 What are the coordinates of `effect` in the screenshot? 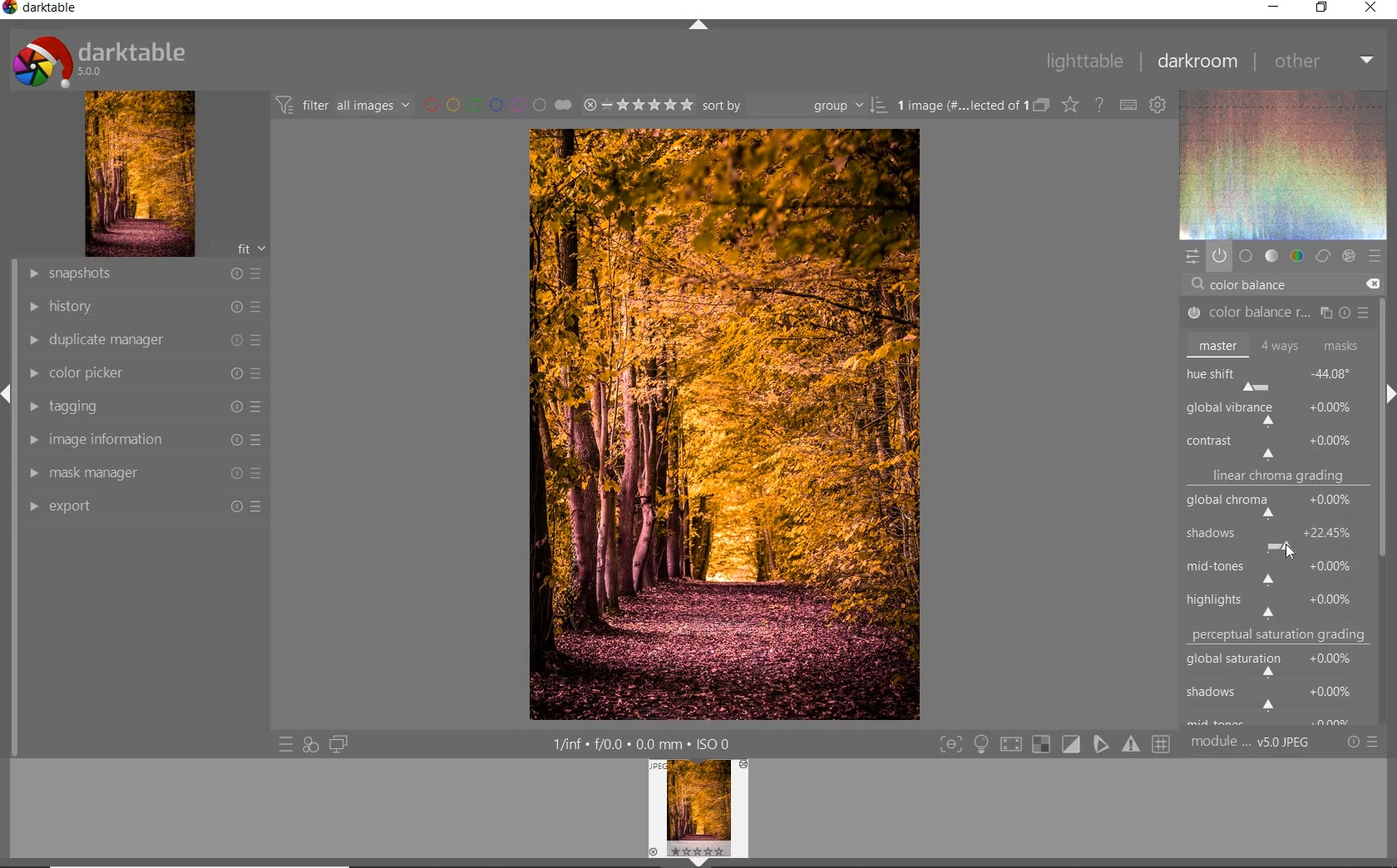 It's located at (1349, 254).